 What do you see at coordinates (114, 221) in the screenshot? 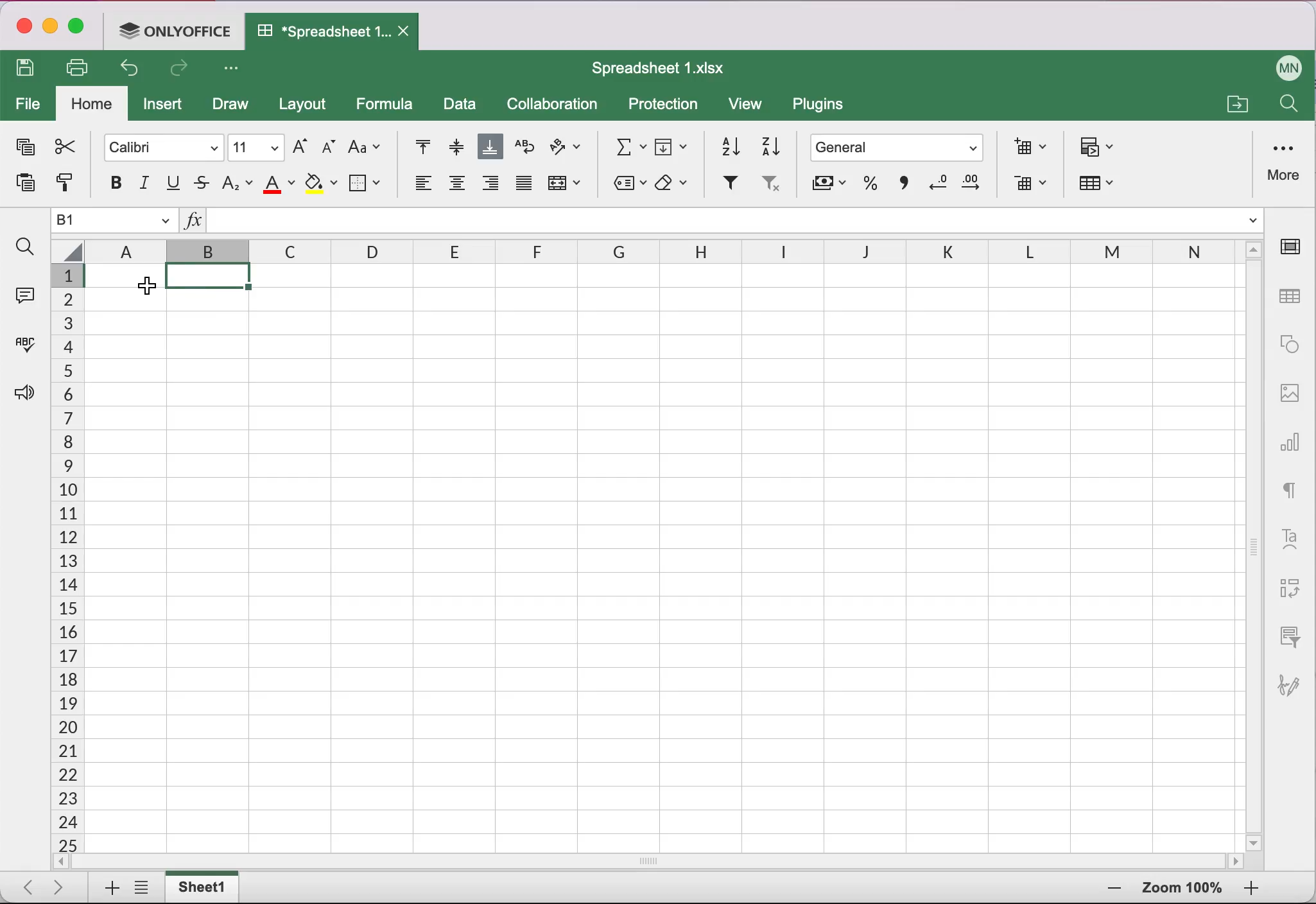
I see `Name manager B1` at bounding box center [114, 221].